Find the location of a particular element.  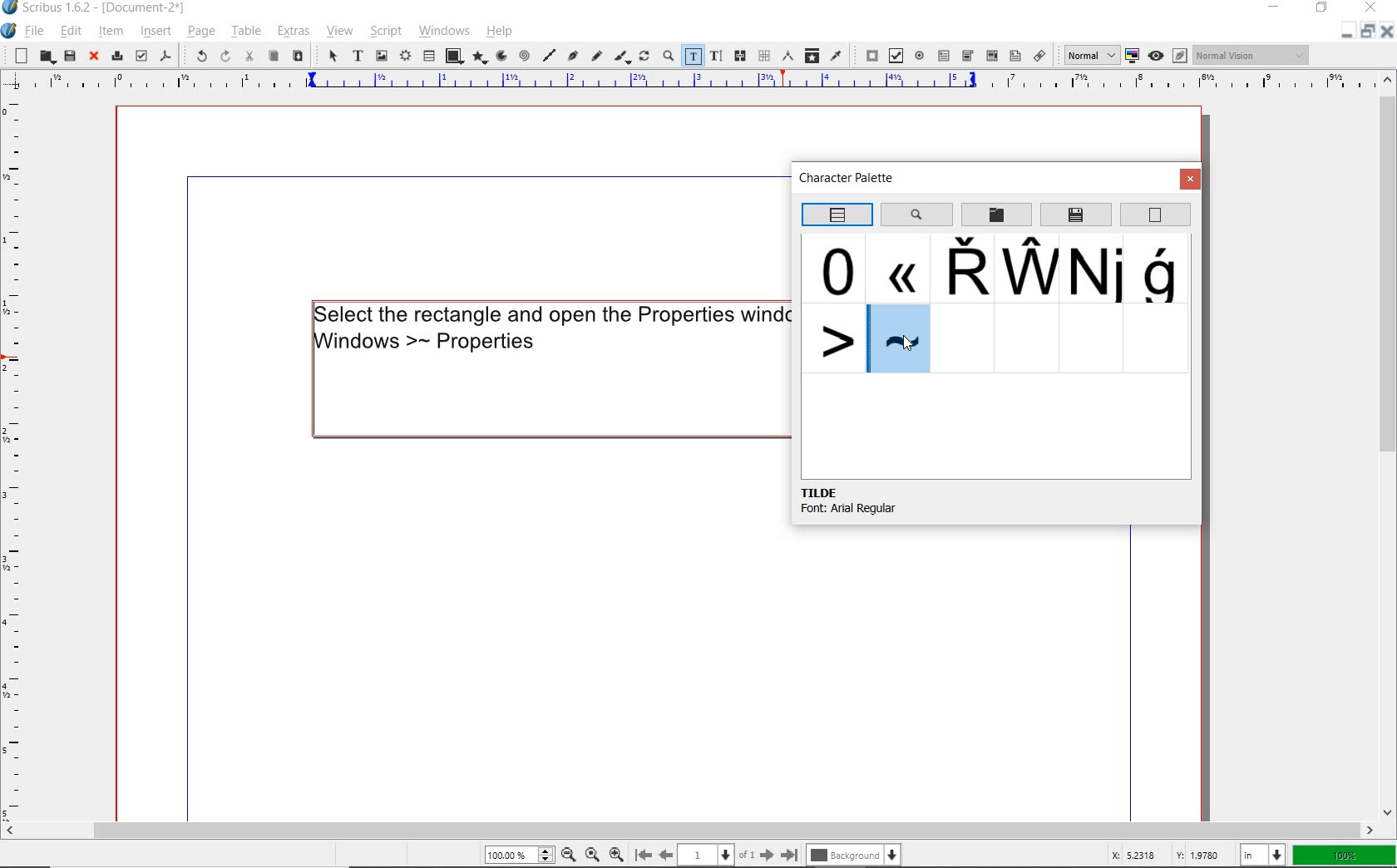

Bezier curve is located at coordinates (573, 57).